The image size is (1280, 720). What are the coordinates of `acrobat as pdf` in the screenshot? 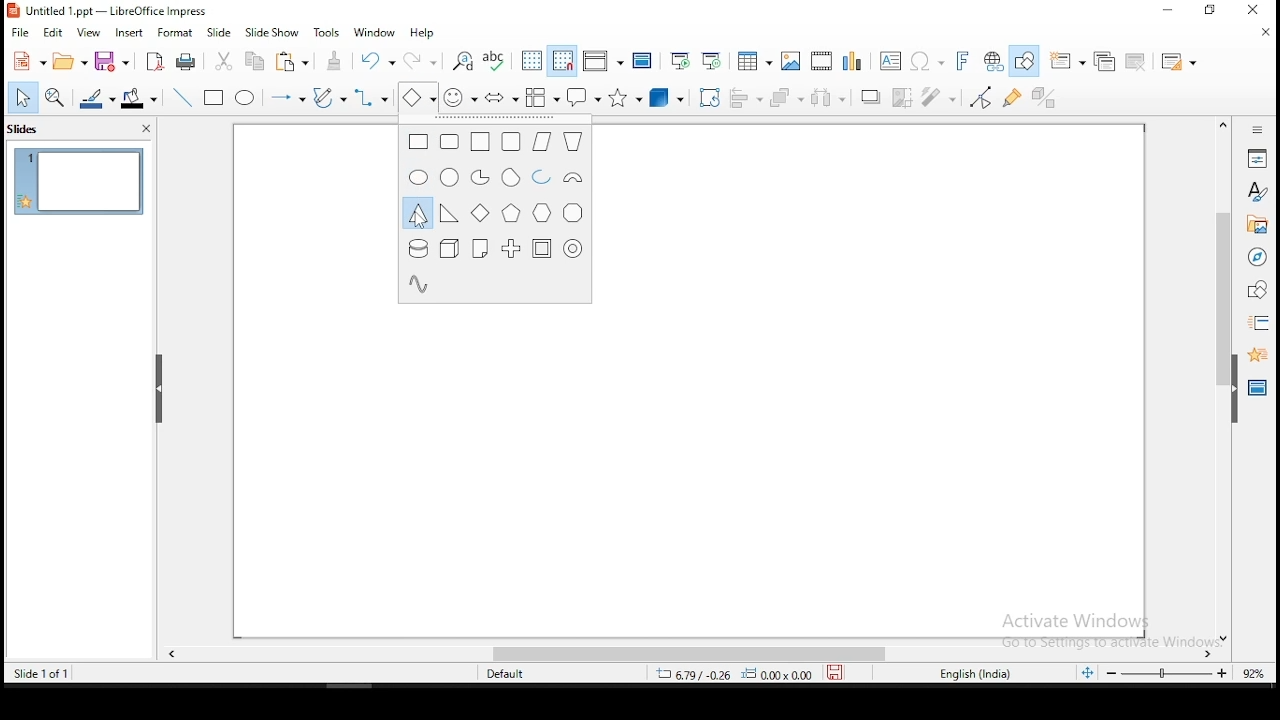 It's located at (155, 60).